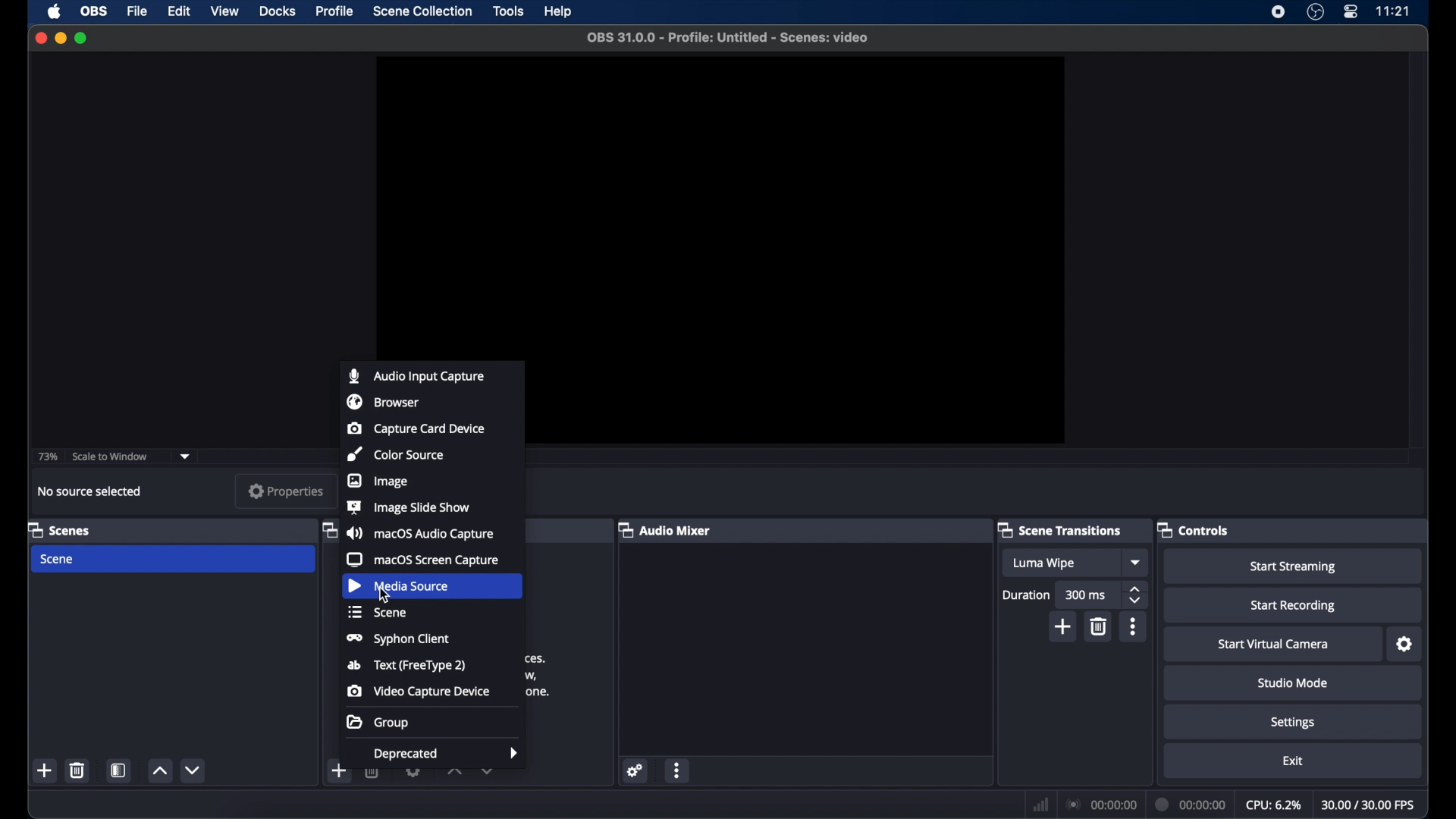  Describe the element at coordinates (373, 770) in the screenshot. I see `delete` at that location.